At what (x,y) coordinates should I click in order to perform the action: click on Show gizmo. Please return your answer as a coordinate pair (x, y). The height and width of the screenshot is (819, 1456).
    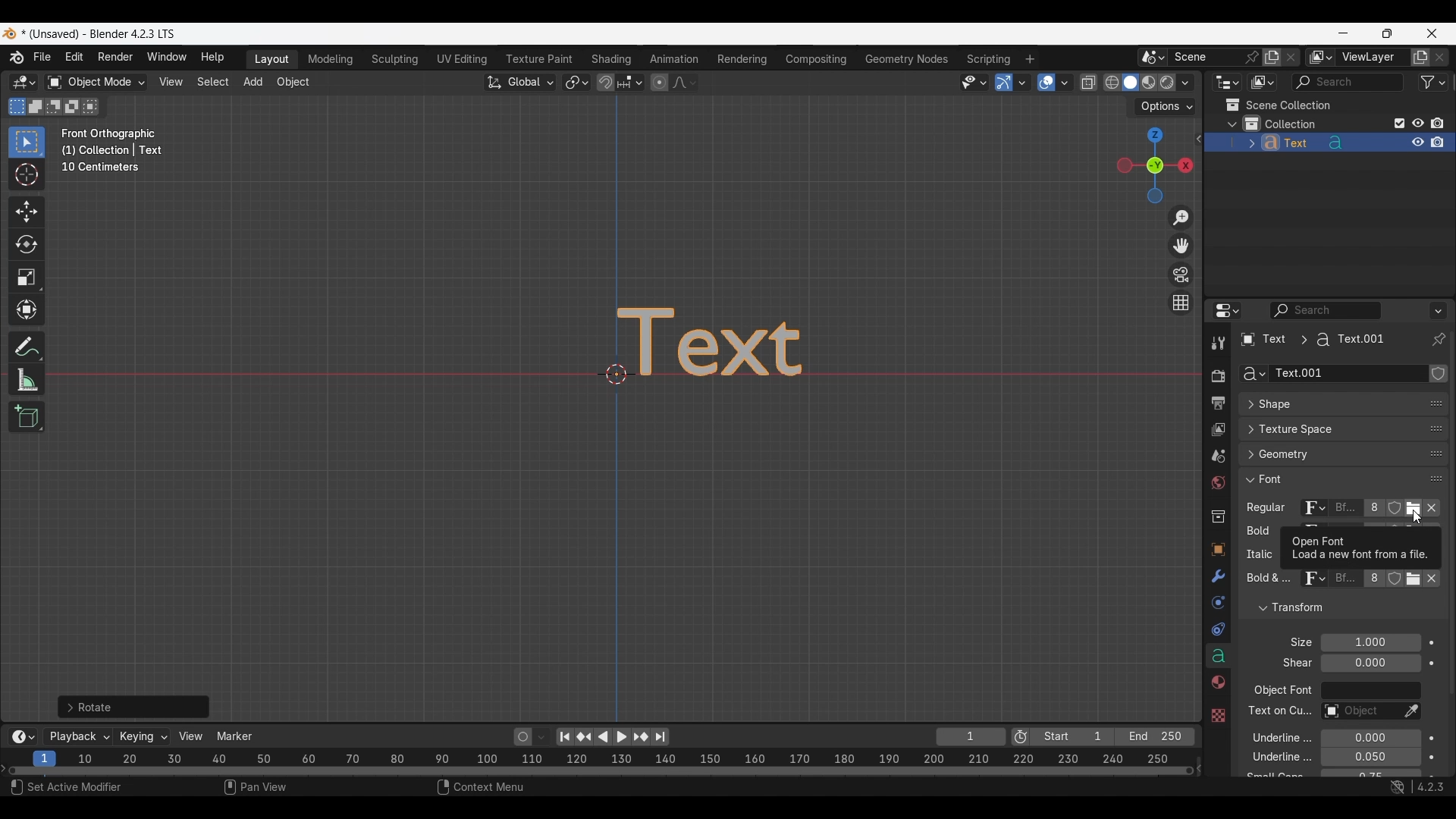
    Looking at the image, I should click on (1004, 83).